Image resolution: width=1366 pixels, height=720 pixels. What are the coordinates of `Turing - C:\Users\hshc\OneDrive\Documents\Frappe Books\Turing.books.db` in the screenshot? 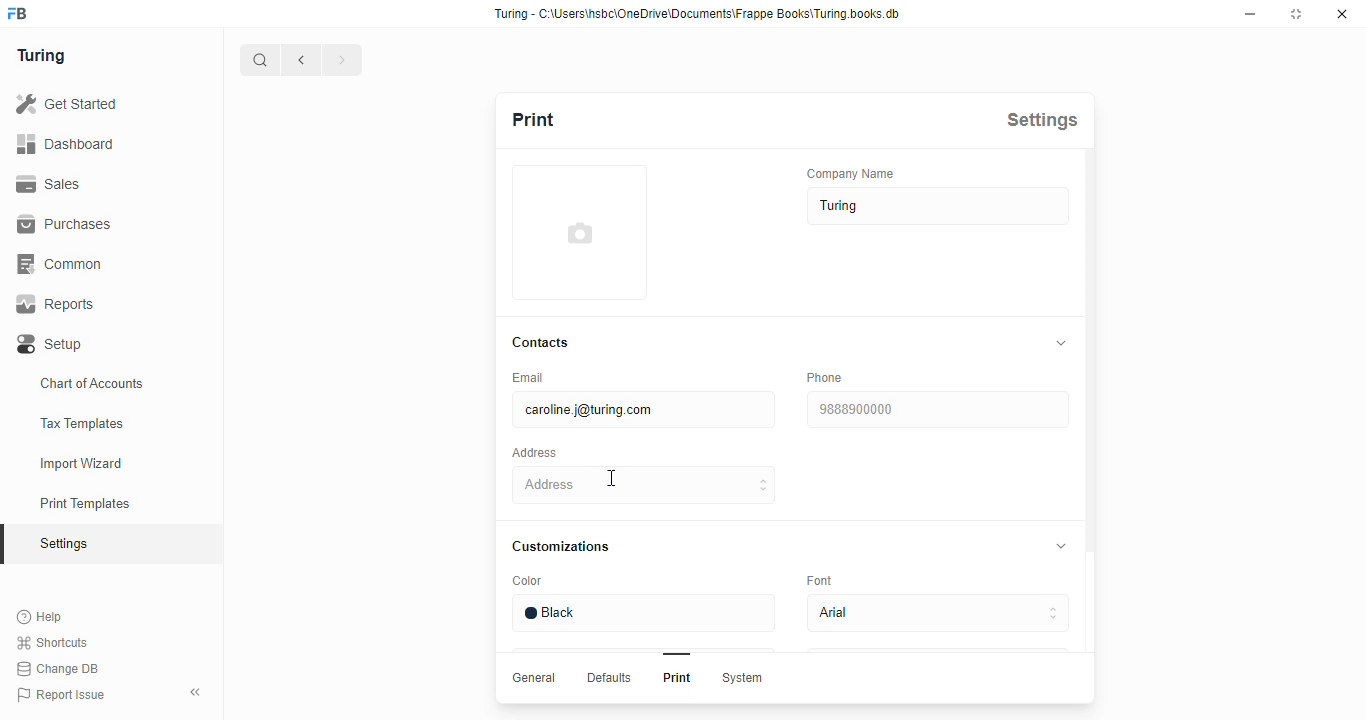 It's located at (699, 14).